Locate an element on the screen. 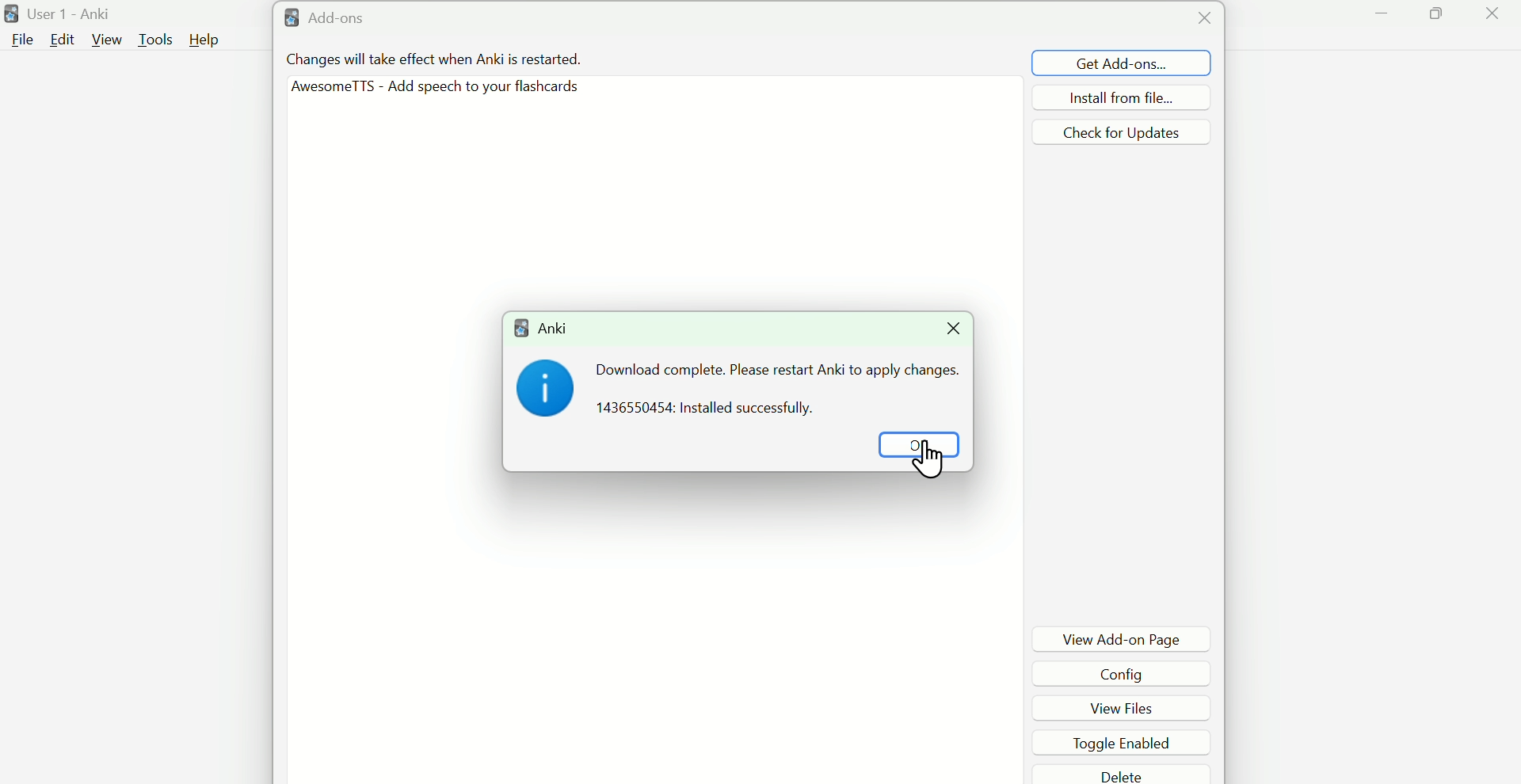 Image resolution: width=1521 pixels, height=784 pixels. Get add Ons is located at coordinates (1122, 63).